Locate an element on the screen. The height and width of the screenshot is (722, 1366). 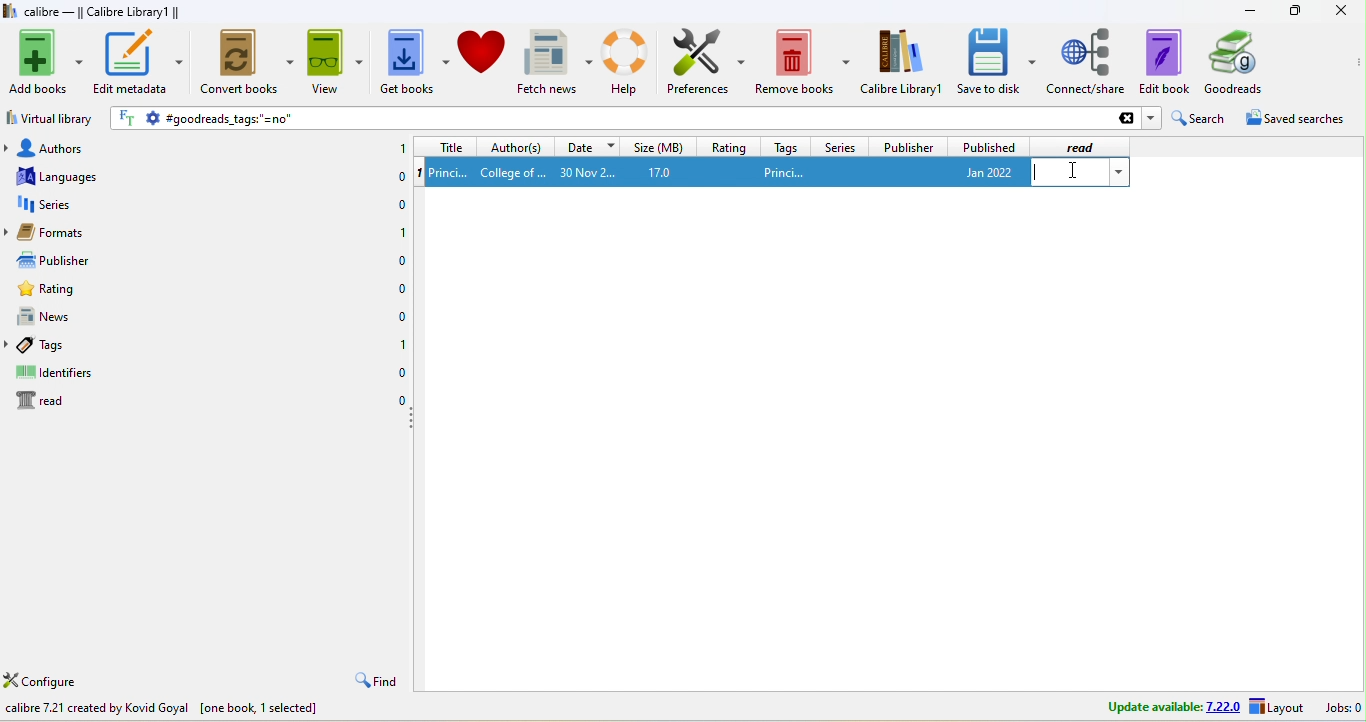
find is located at coordinates (375, 679).